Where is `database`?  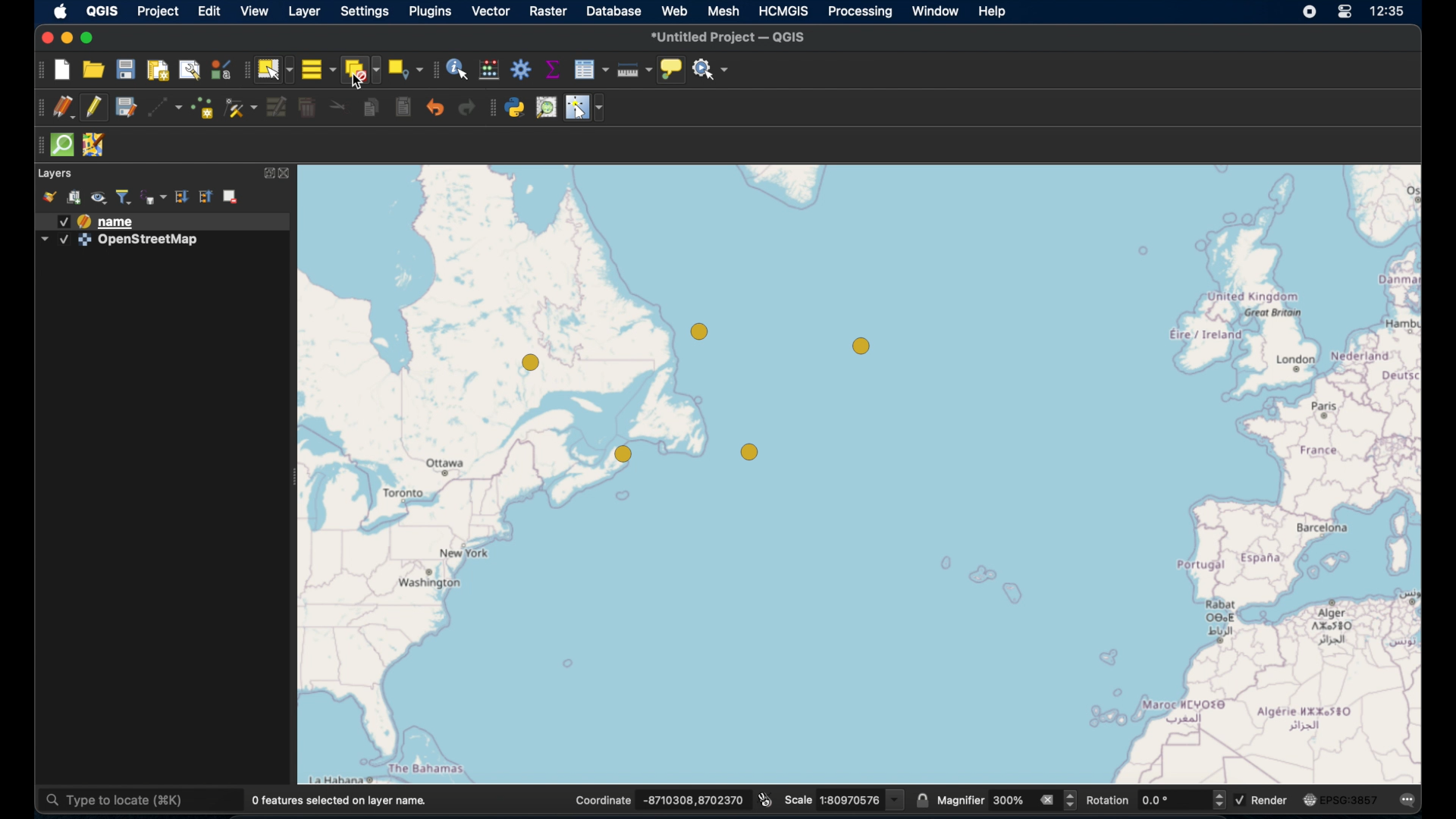 database is located at coordinates (614, 13).